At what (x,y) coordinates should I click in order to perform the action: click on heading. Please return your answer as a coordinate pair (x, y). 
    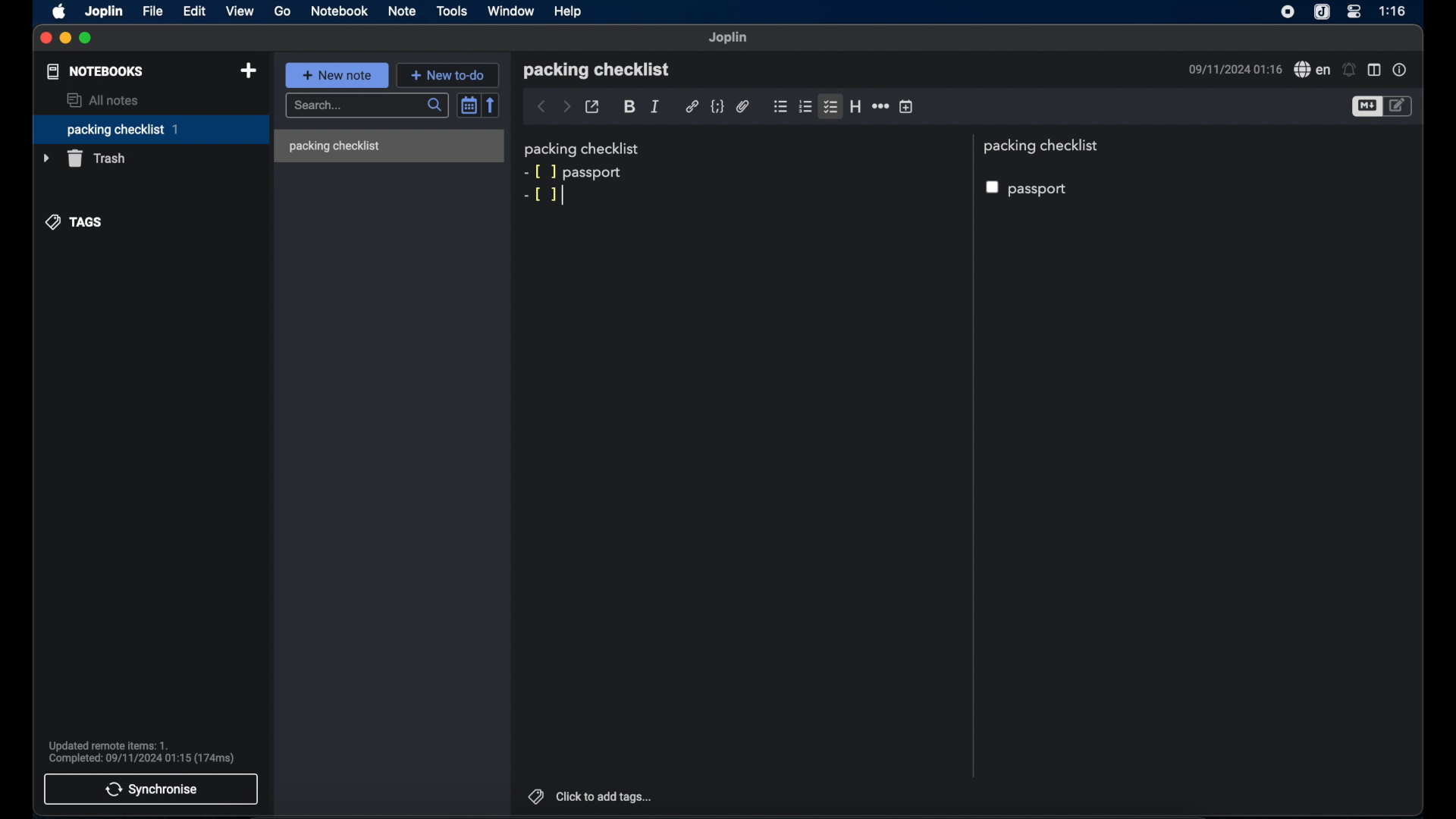
    Looking at the image, I should click on (855, 106).